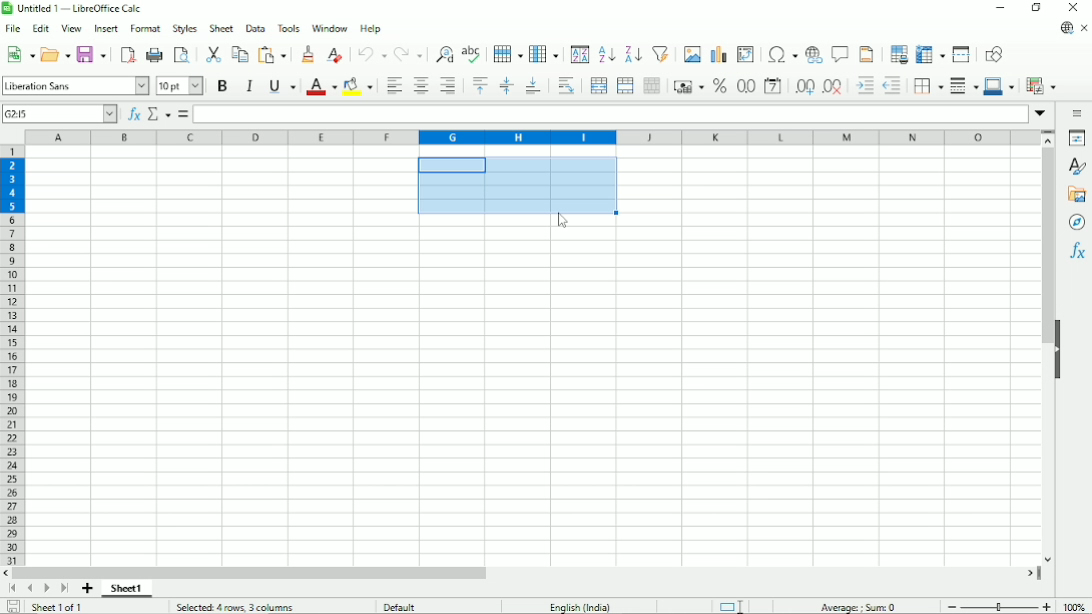 This screenshot has width=1092, height=614. I want to click on Underline, so click(281, 85).